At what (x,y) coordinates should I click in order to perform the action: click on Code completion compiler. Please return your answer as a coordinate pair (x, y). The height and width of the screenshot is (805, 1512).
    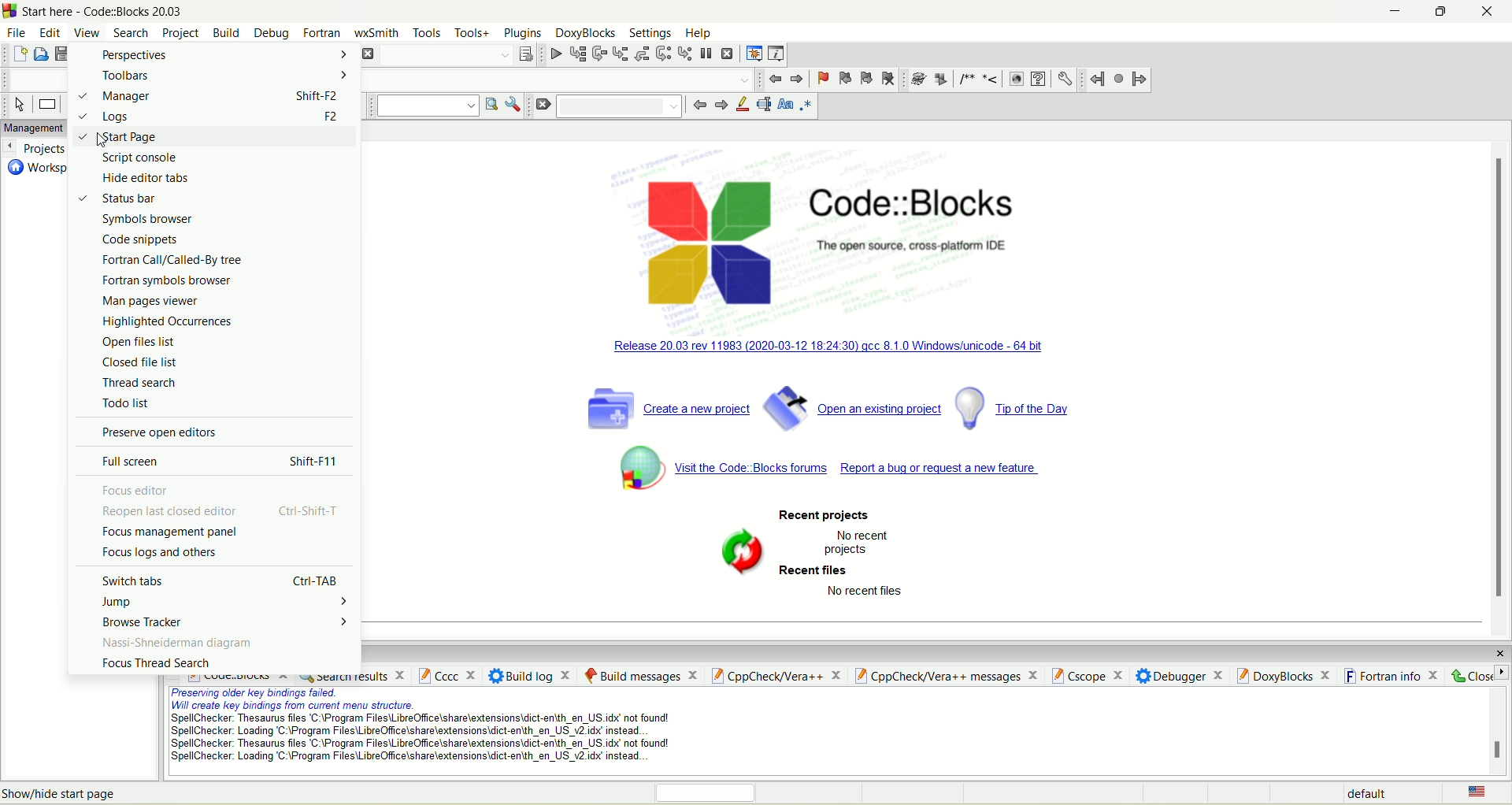
    Looking at the image, I should click on (561, 79).